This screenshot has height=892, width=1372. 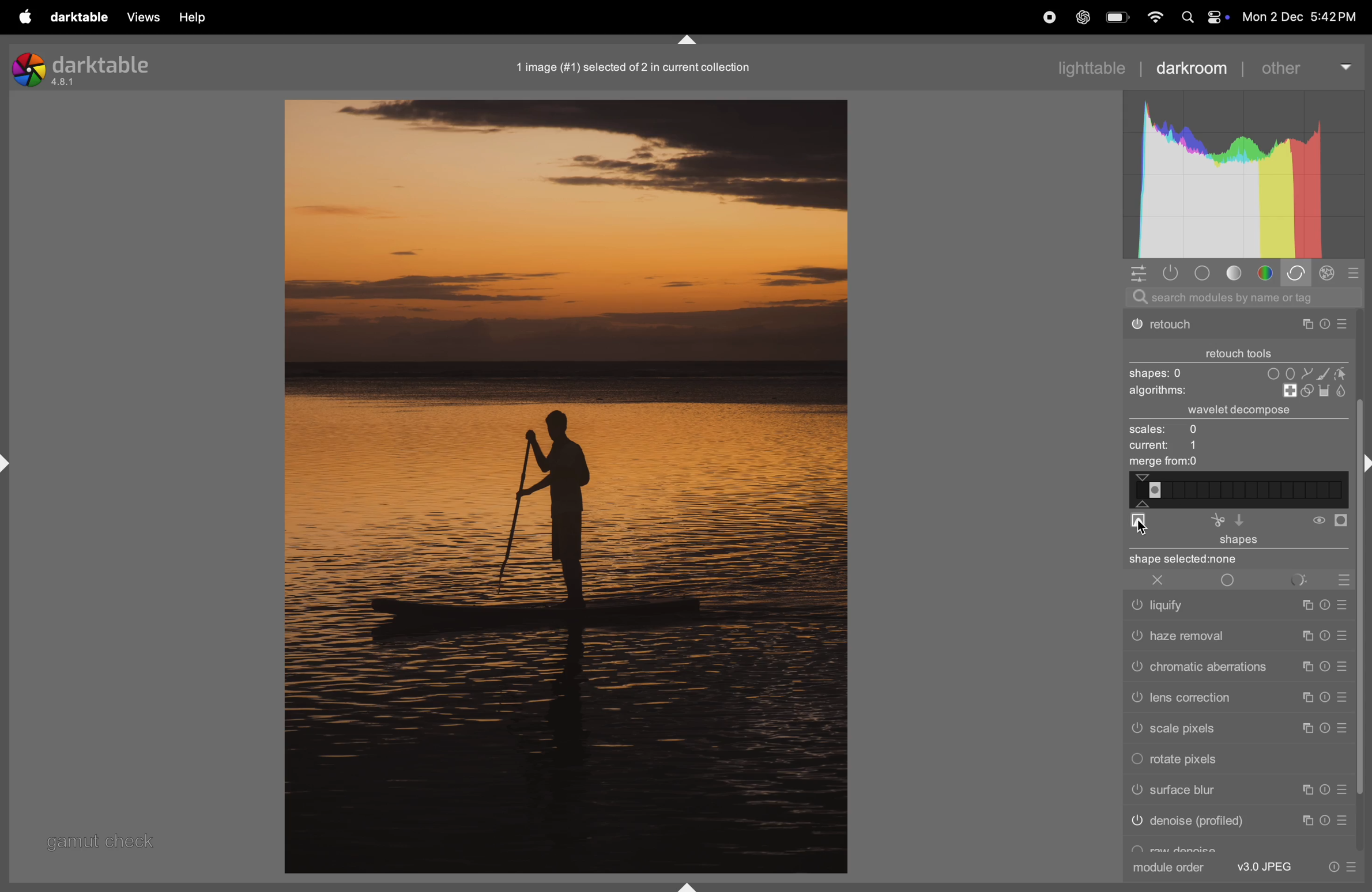 What do you see at coordinates (1138, 523) in the screenshot?
I see `depth` at bounding box center [1138, 523].